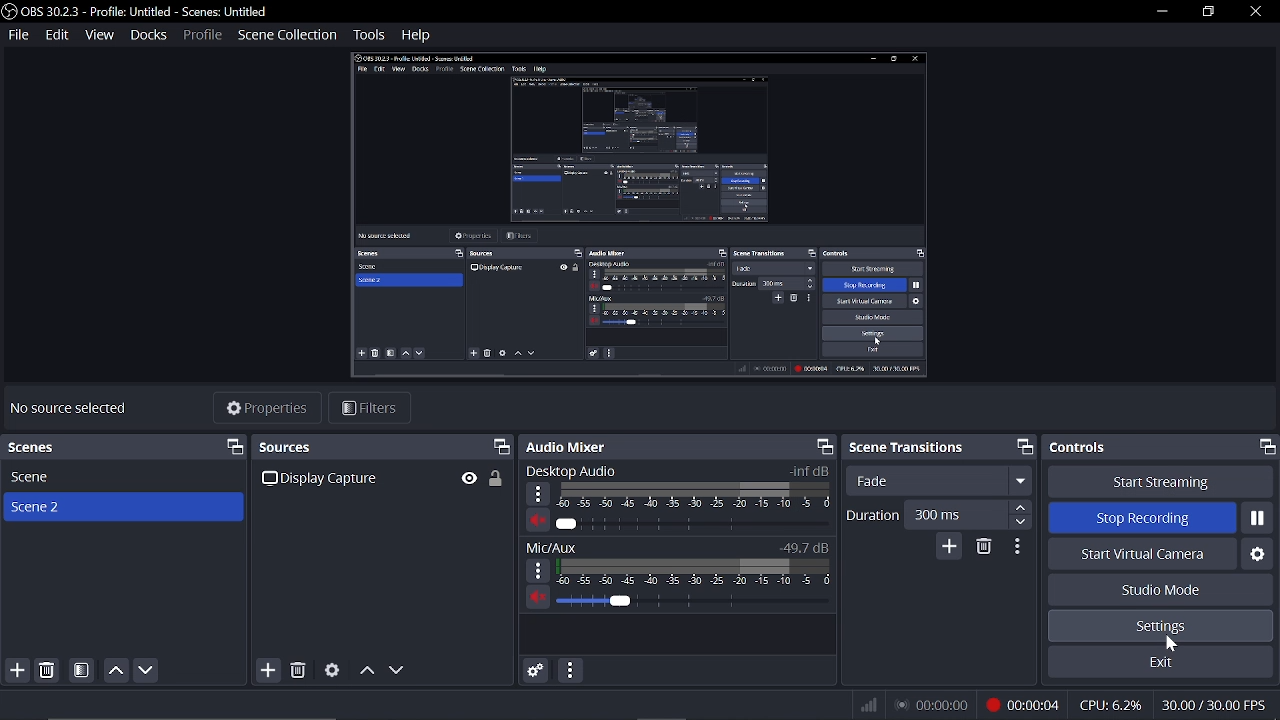 This screenshot has width=1280, height=720. Describe the element at coordinates (1175, 645) in the screenshot. I see `cursor` at that location.